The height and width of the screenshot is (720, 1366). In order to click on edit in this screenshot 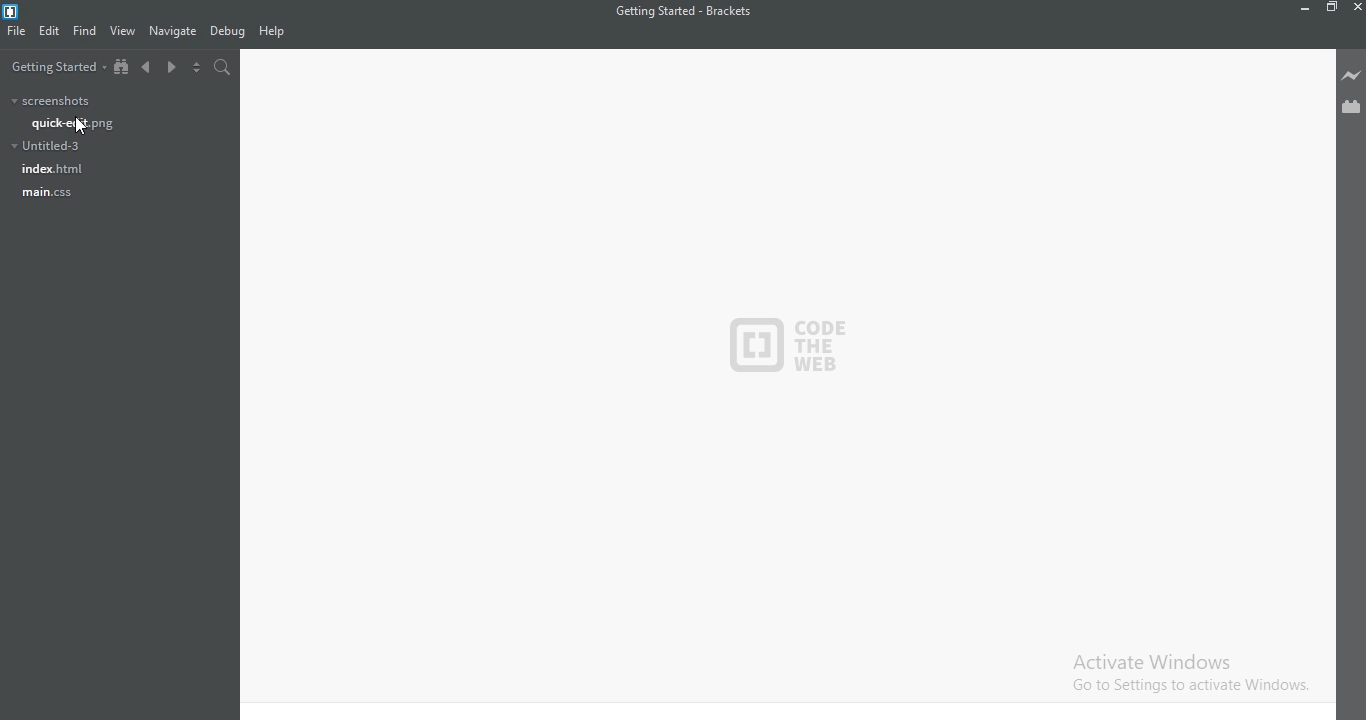, I will do `click(50, 31)`.